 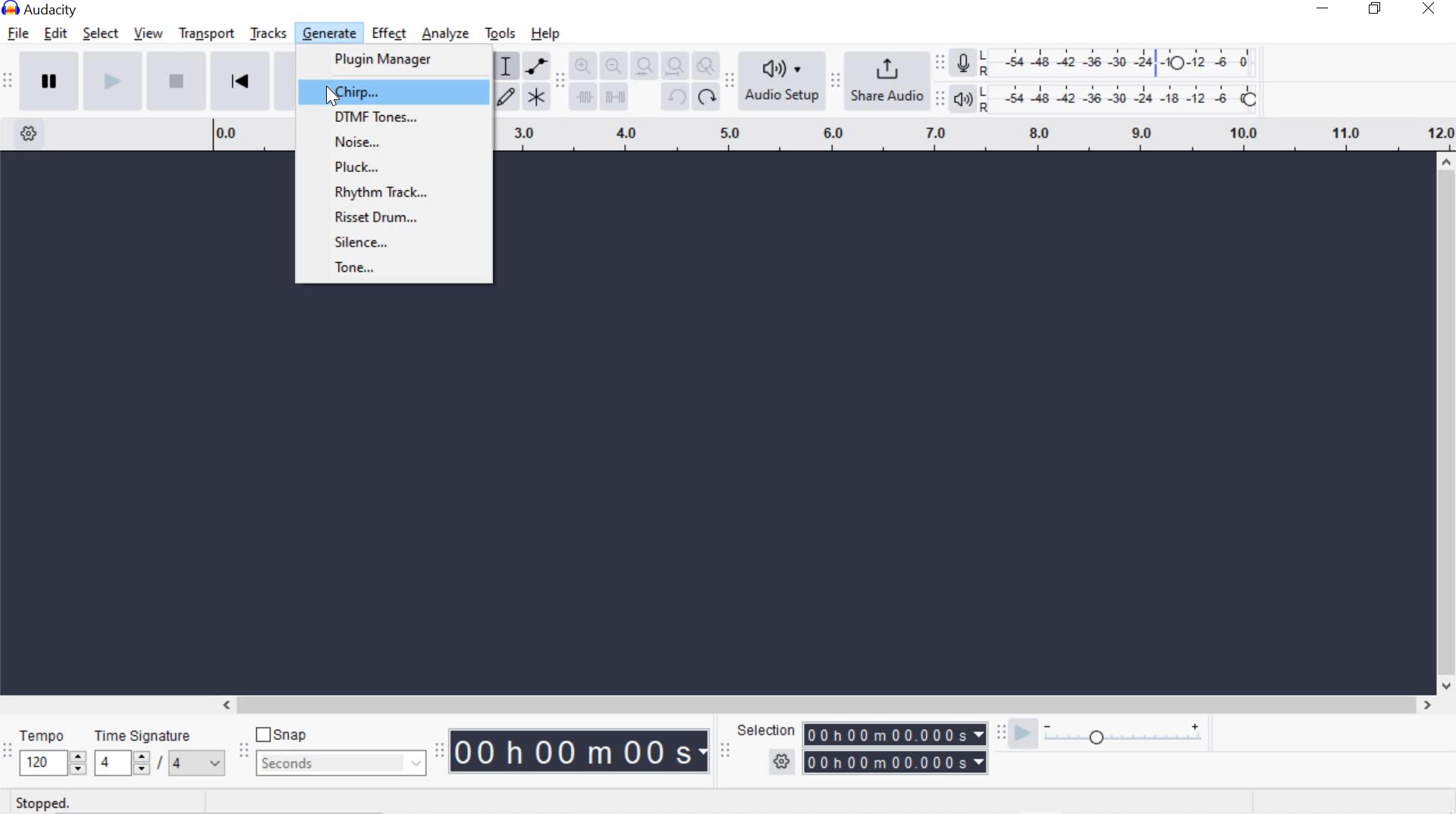 I want to click on snap, so click(x=283, y=735).